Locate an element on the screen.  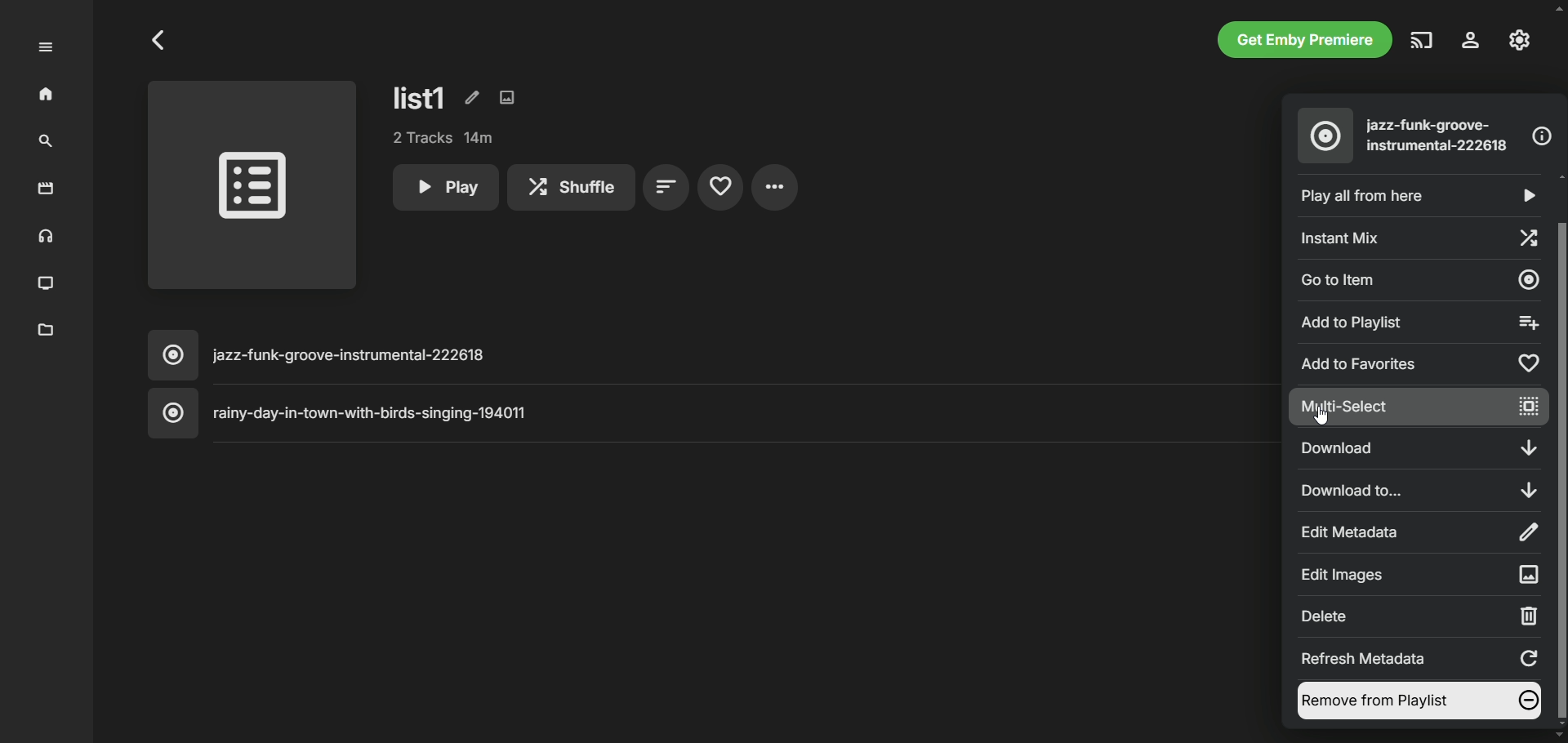
information is located at coordinates (1542, 136).